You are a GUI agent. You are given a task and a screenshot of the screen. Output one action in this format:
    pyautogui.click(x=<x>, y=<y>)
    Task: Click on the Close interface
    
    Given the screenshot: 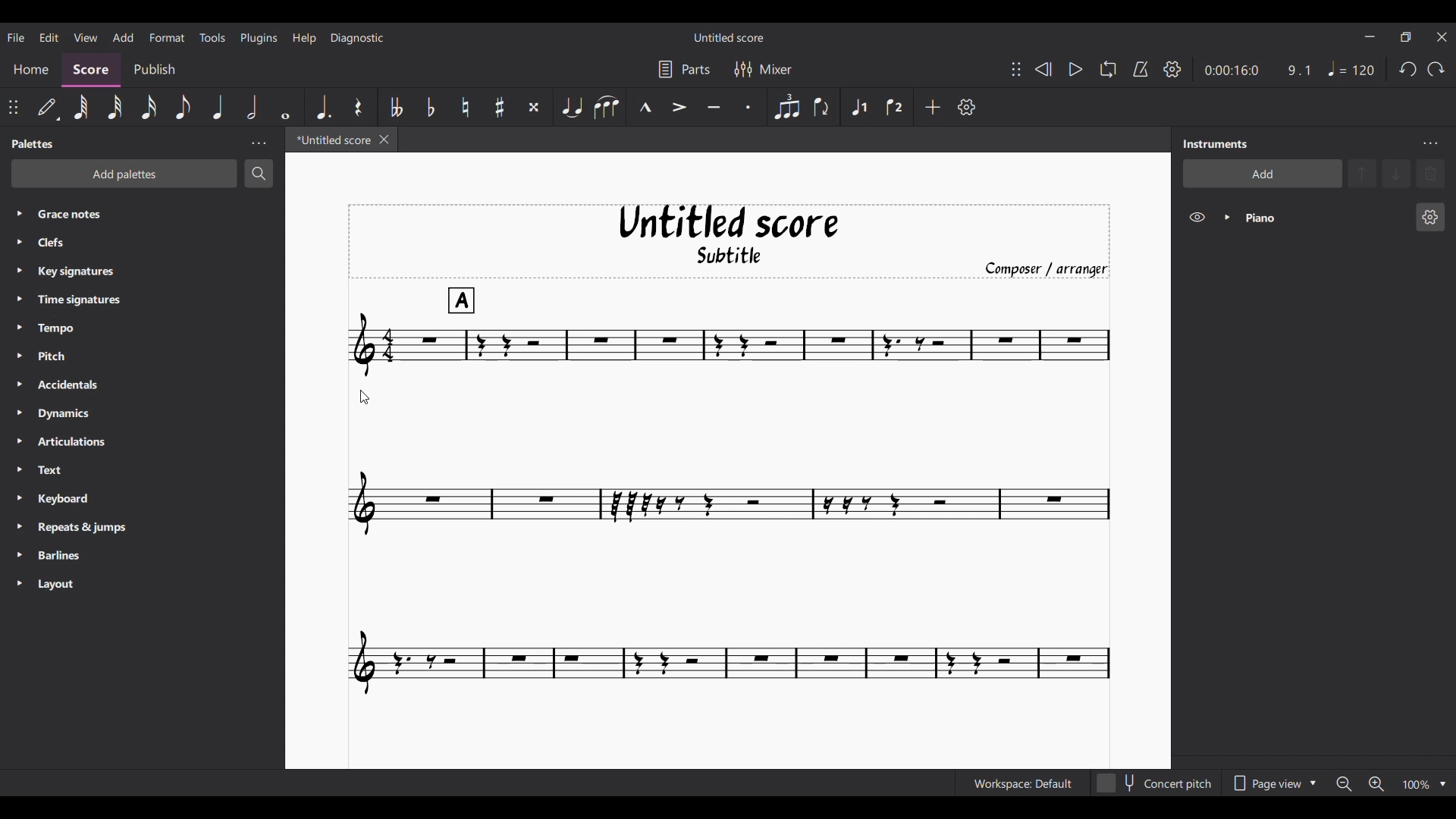 What is the action you would take?
    pyautogui.click(x=1442, y=37)
    